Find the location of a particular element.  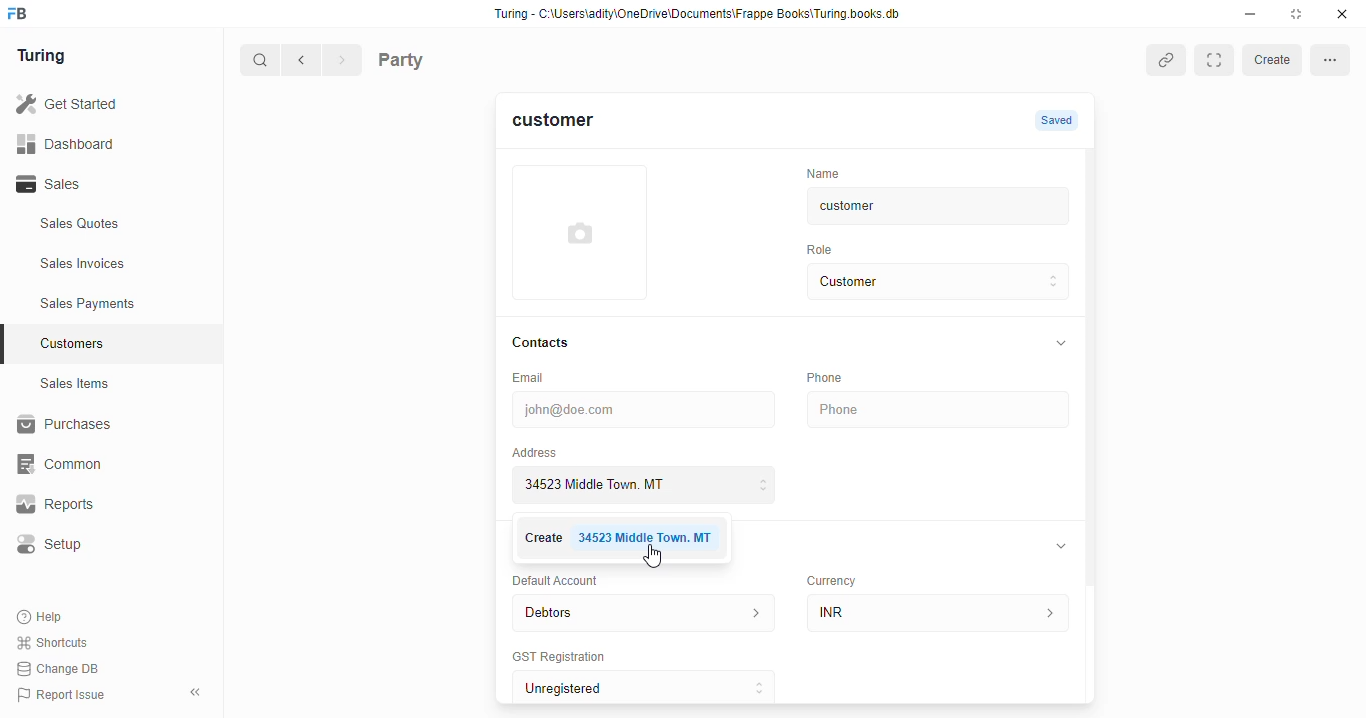

Currency is located at coordinates (830, 581).